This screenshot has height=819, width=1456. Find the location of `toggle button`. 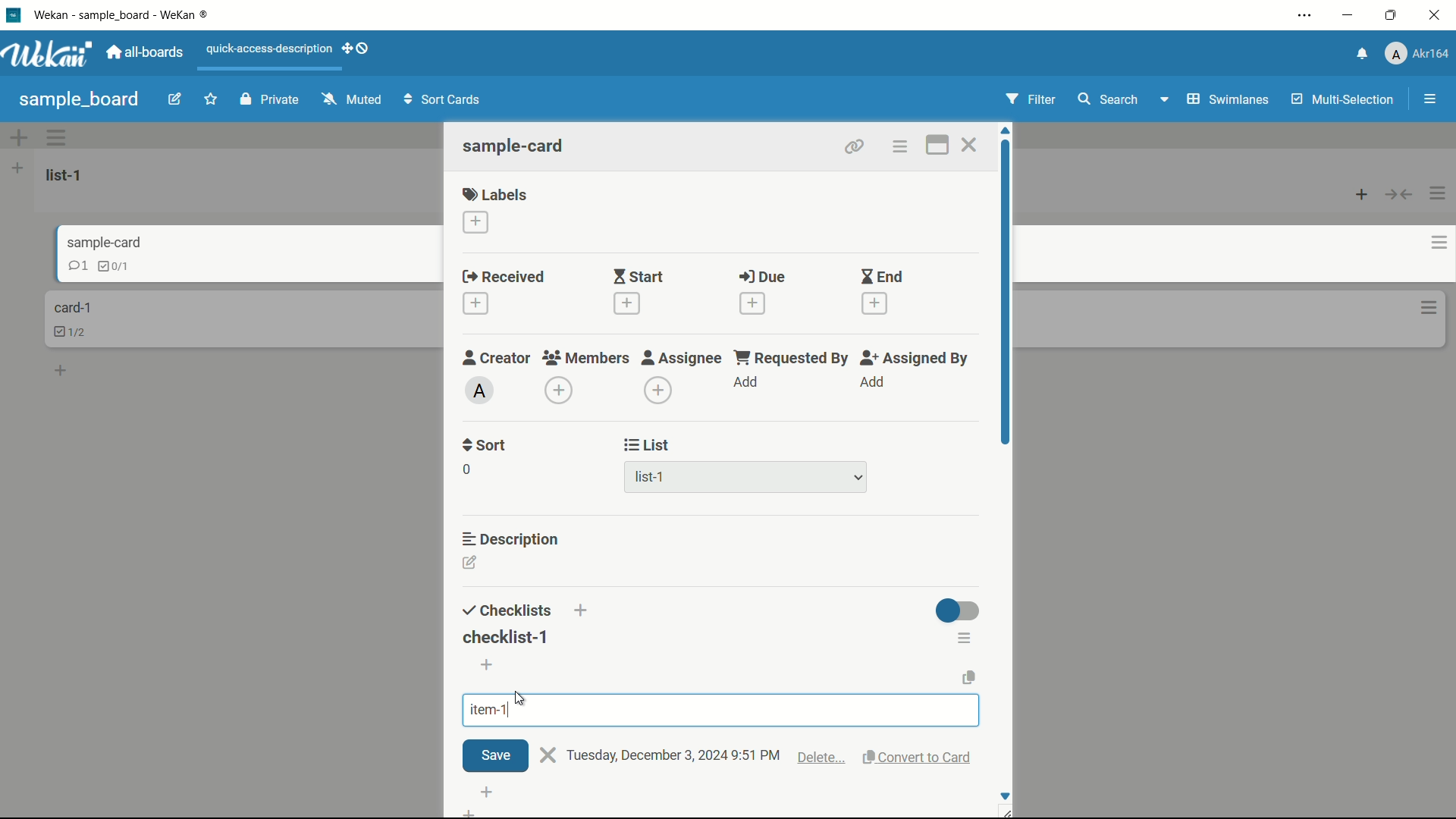

toggle button is located at coordinates (956, 610).